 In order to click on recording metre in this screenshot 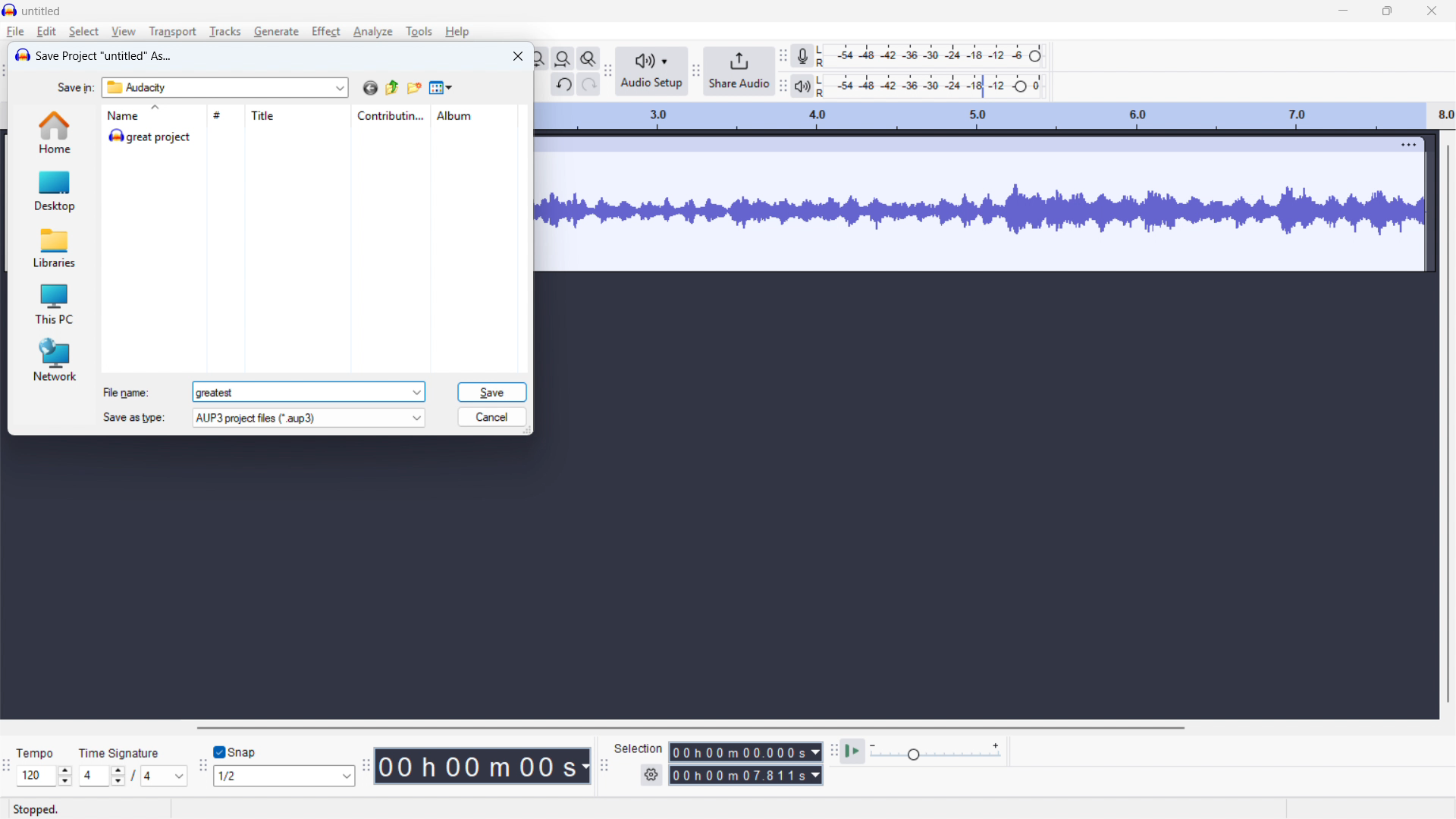, I will do `click(802, 56)`.